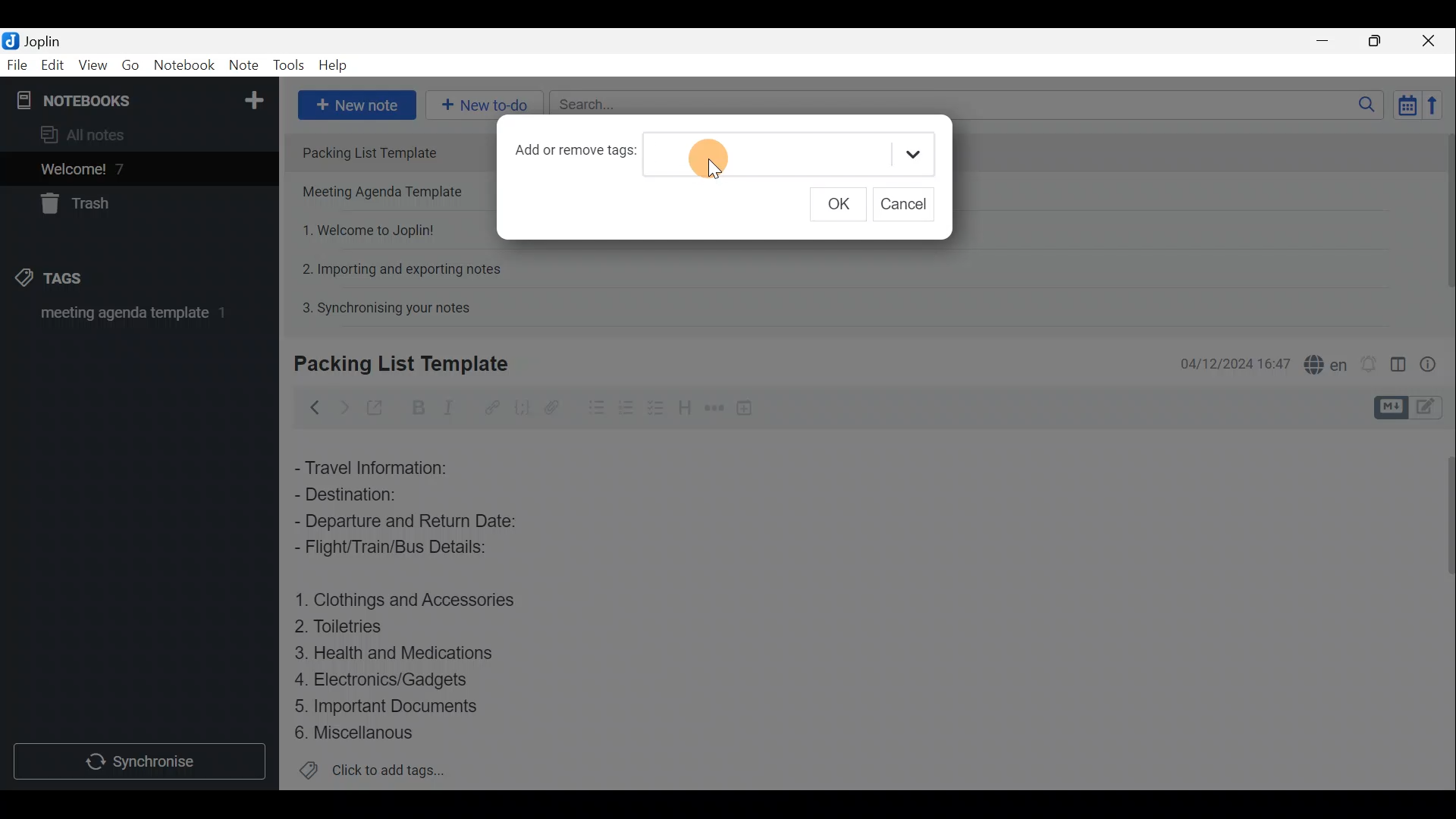 The image size is (1456, 819). What do you see at coordinates (903, 203) in the screenshot?
I see `Cancel` at bounding box center [903, 203].